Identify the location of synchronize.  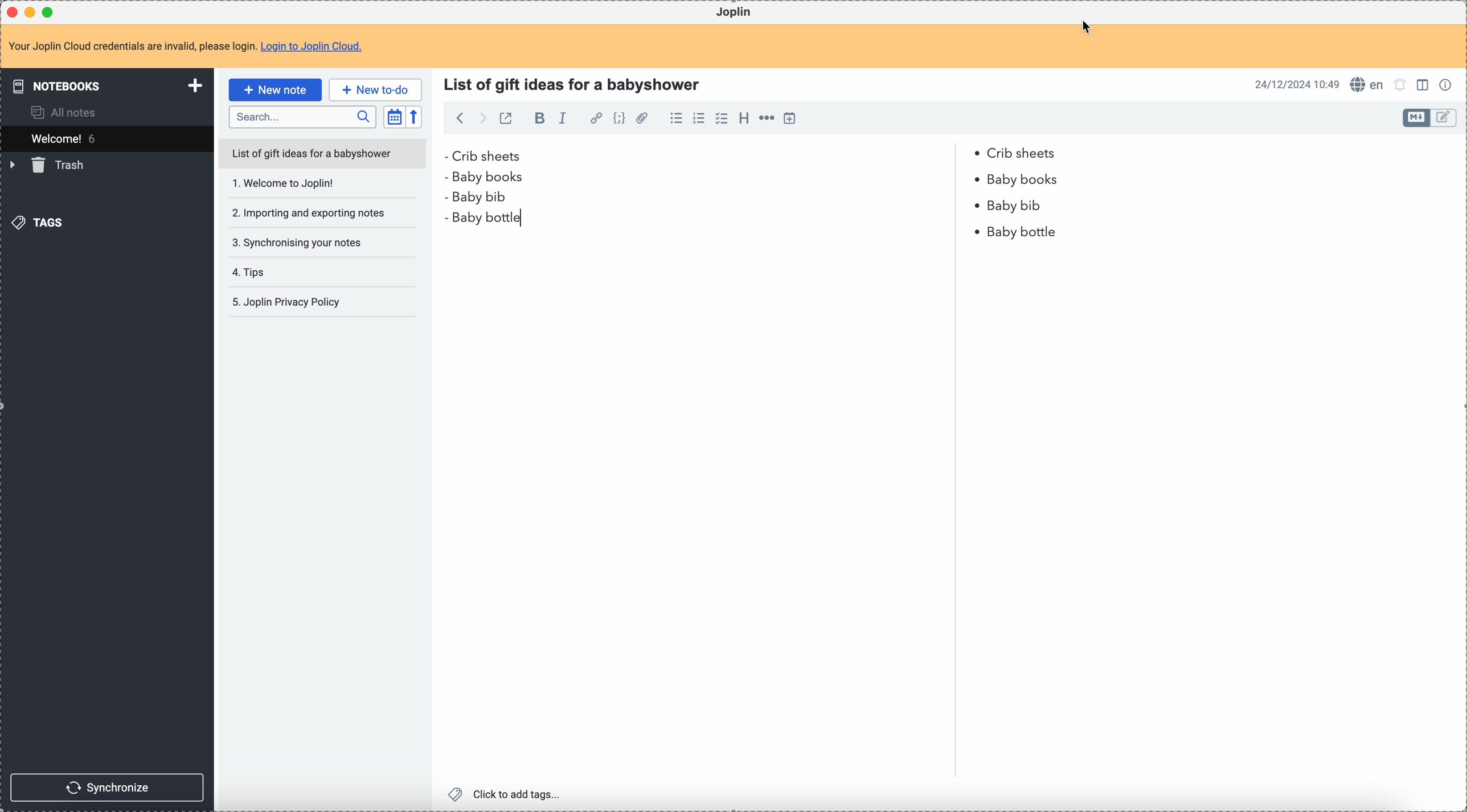
(109, 786).